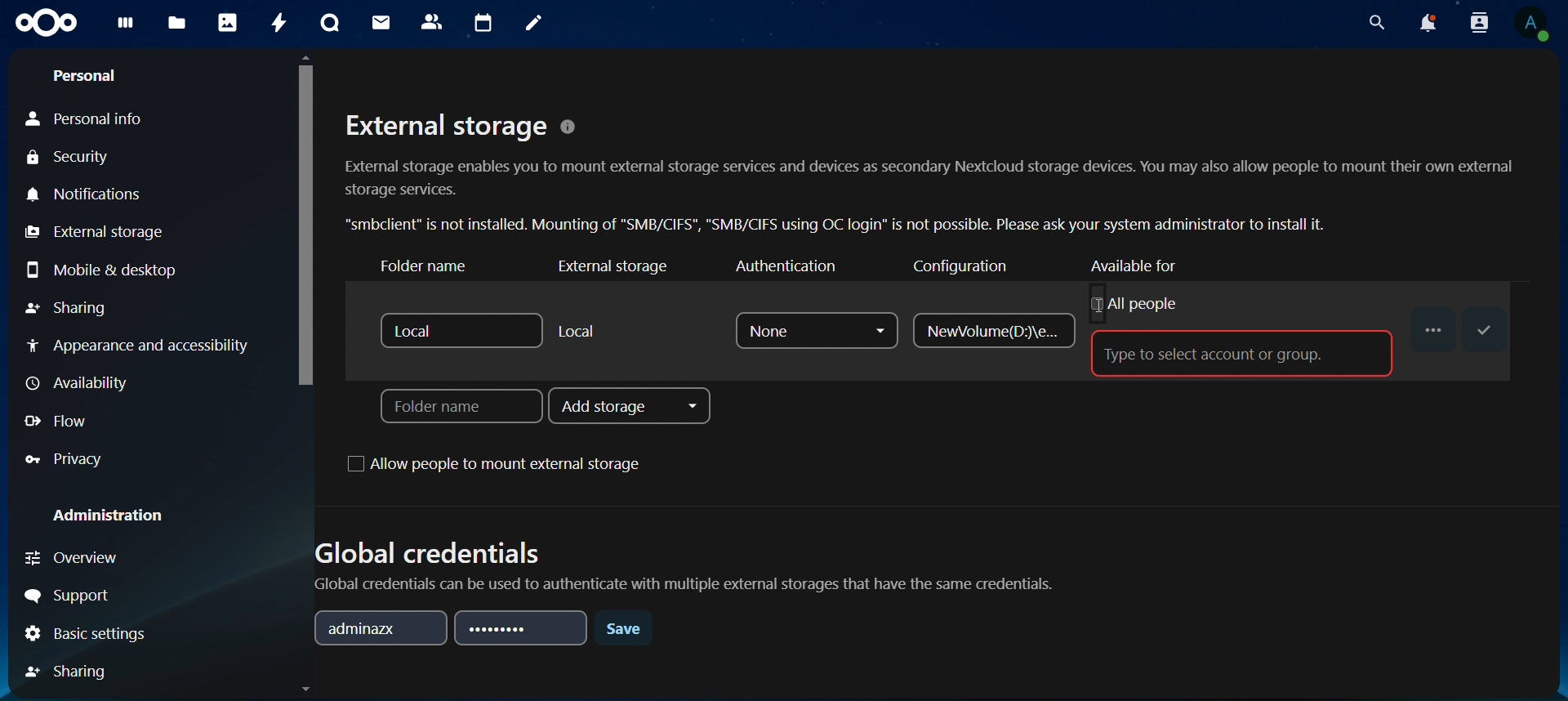  Describe the element at coordinates (1432, 325) in the screenshot. I see `...` at that location.